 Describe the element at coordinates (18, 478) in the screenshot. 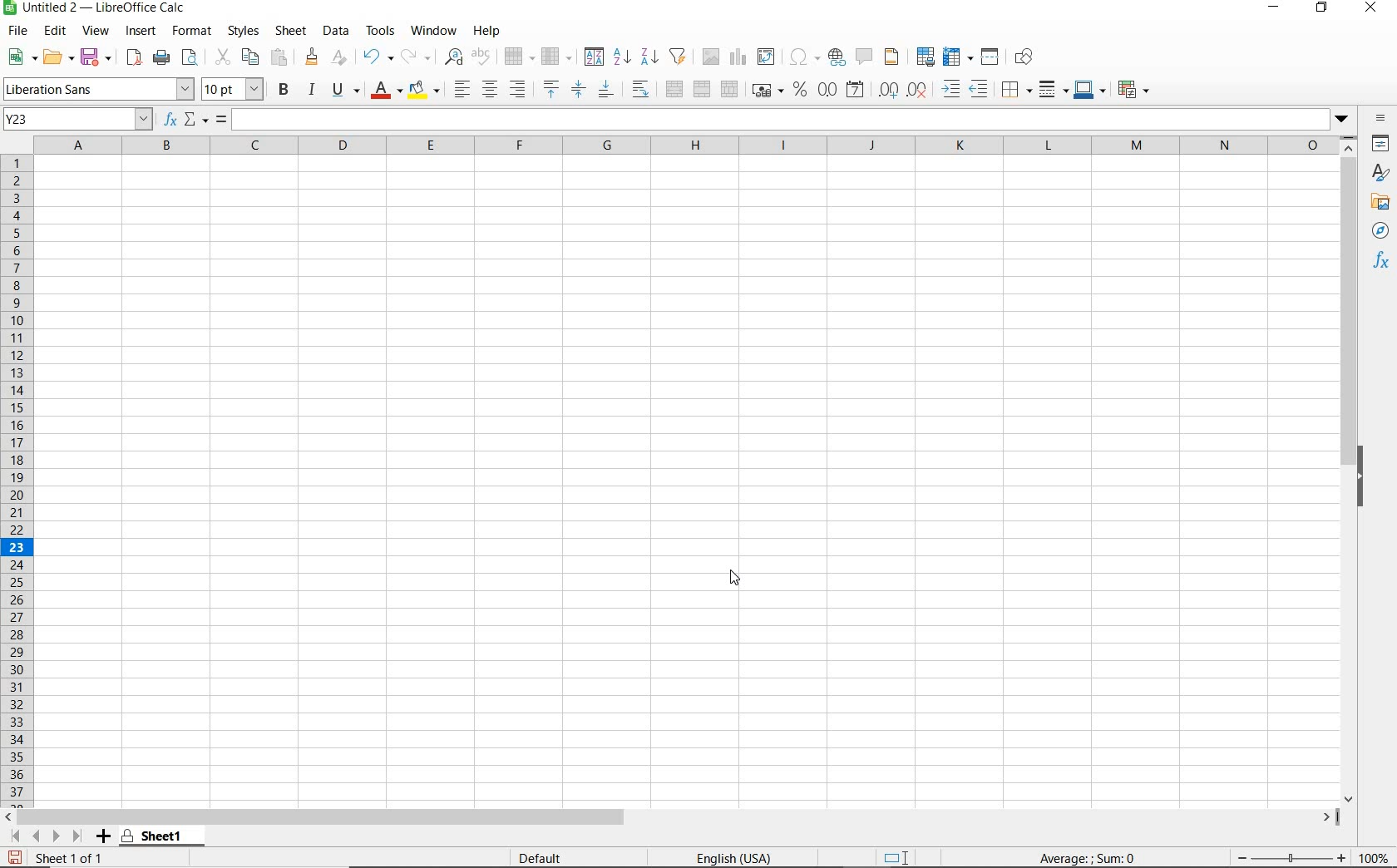

I see `ROWS` at that location.